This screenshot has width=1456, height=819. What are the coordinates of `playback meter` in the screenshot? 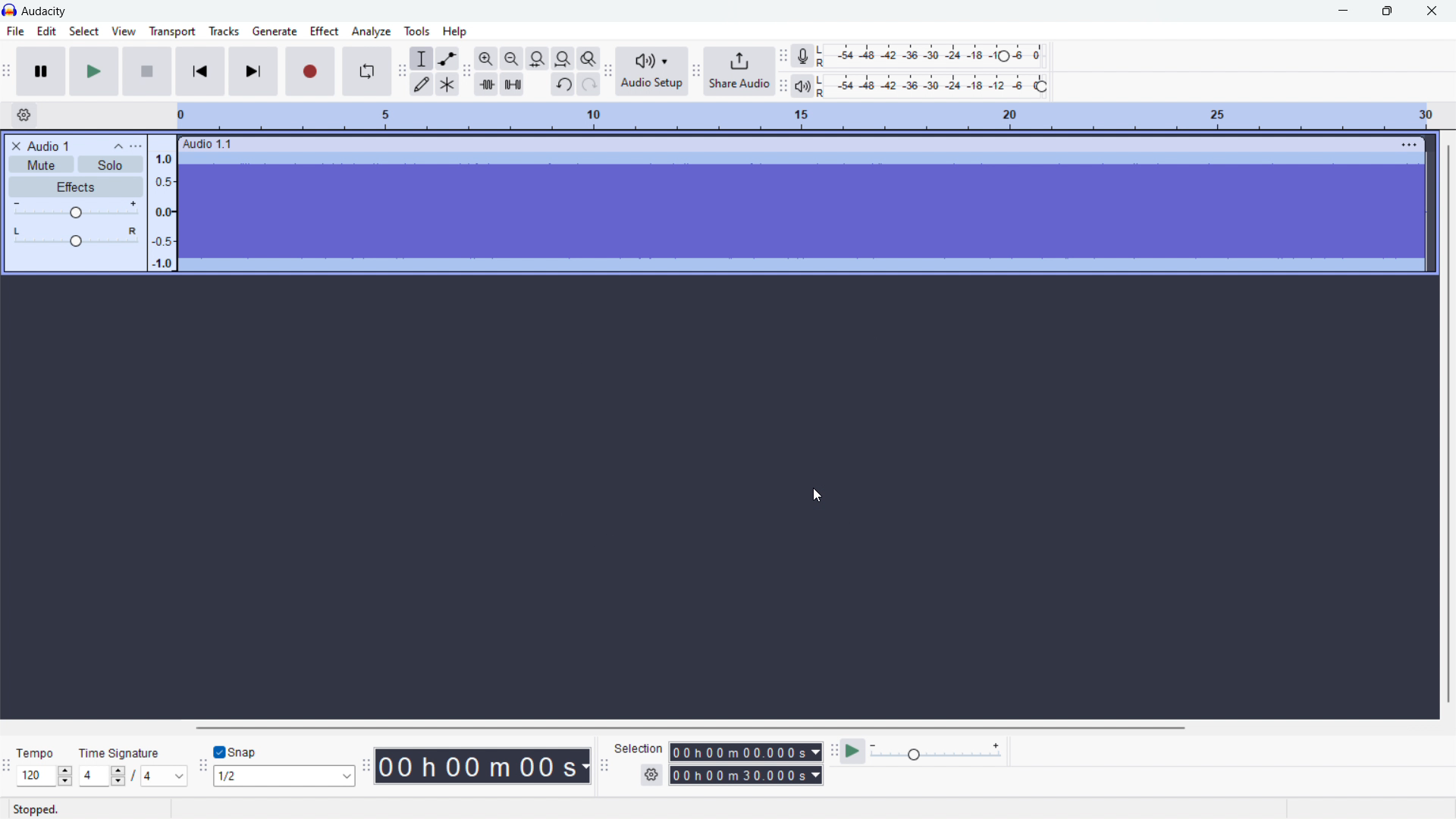 It's located at (937, 751).